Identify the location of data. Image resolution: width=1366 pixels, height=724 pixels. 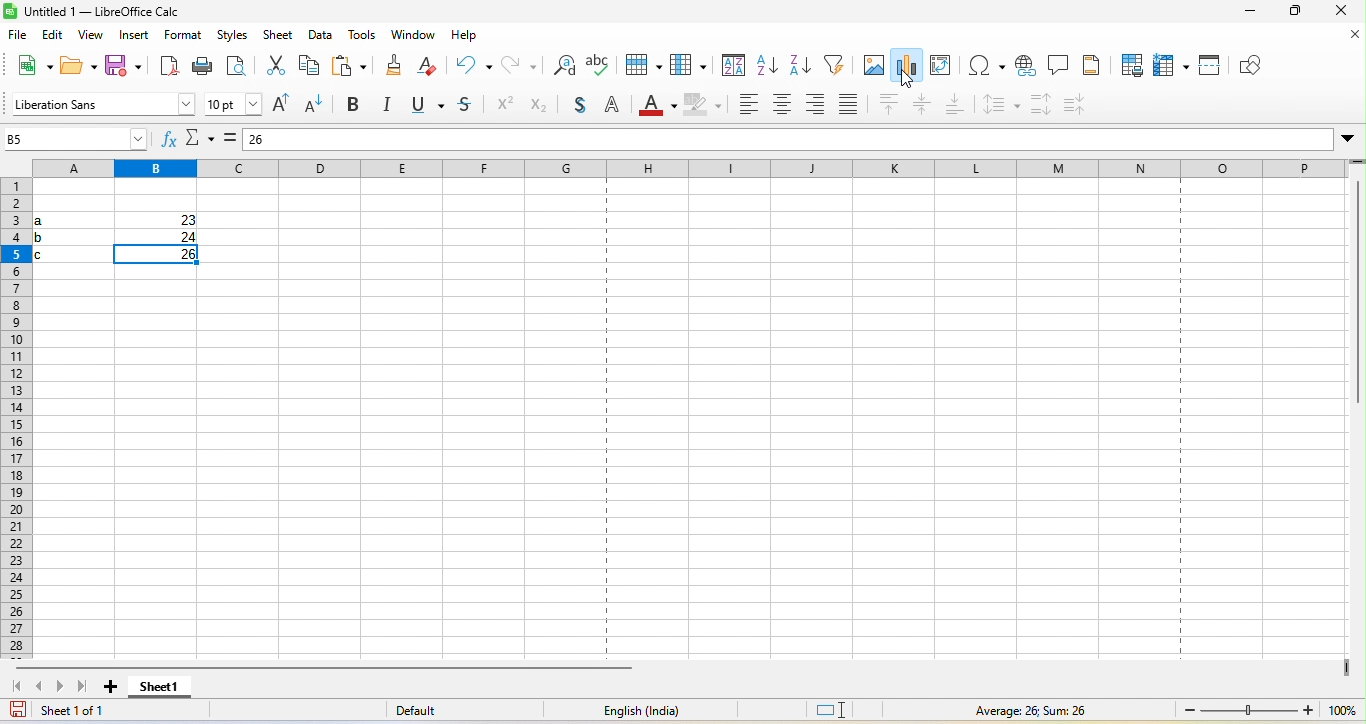
(321, 38).